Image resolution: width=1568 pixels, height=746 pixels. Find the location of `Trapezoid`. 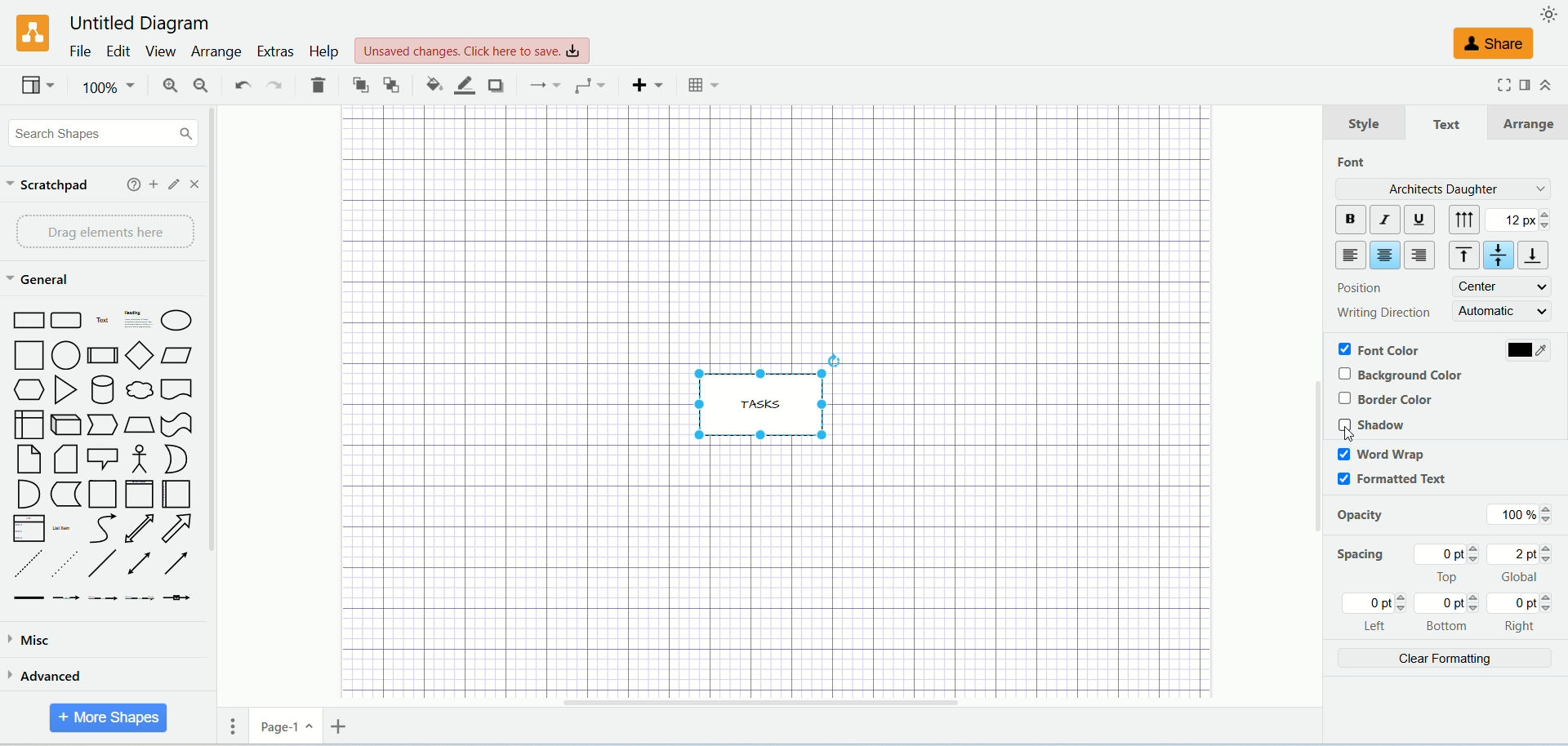

Trapezoid is located at coordinates (139, 425).